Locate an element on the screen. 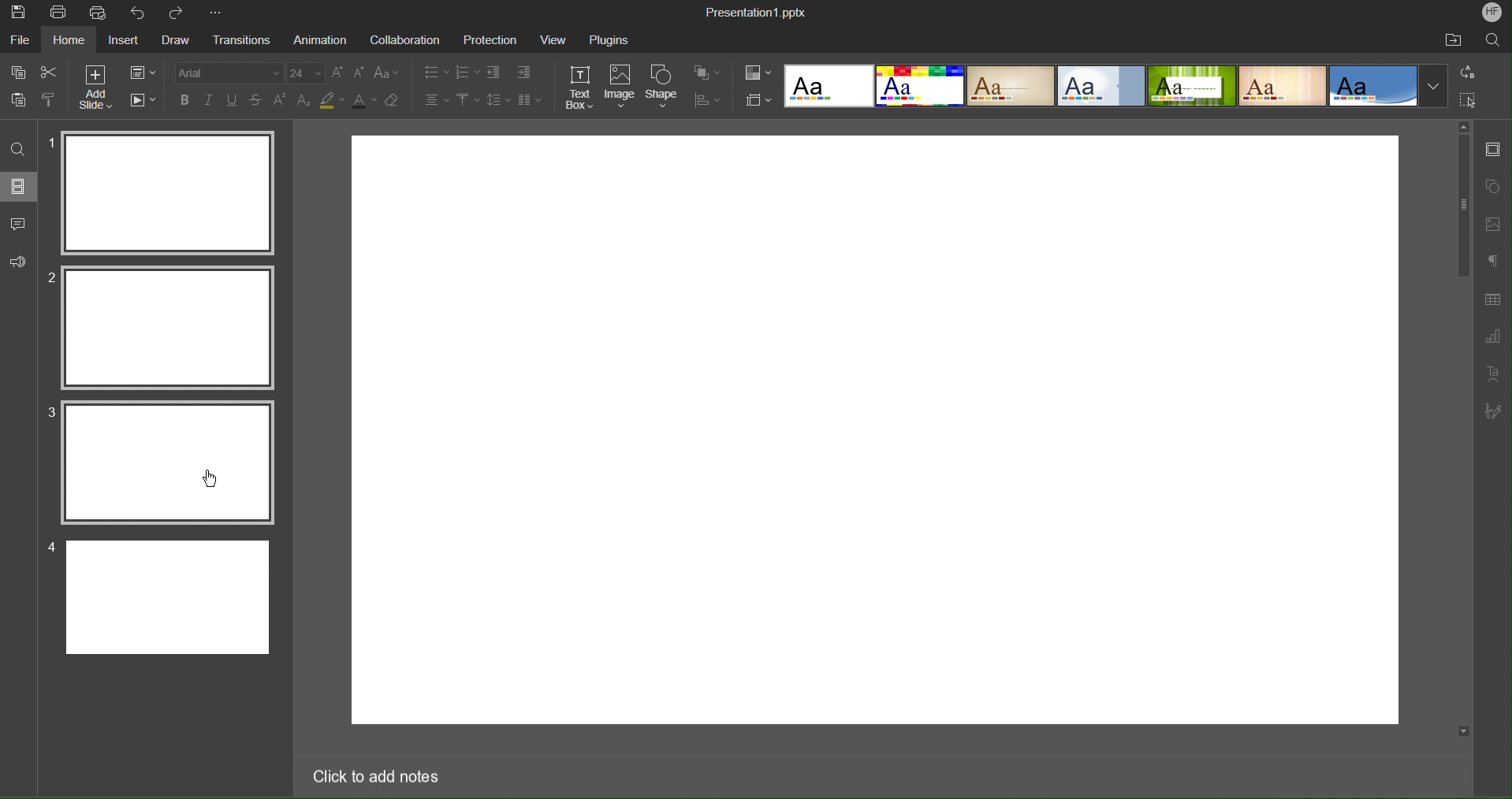  change case is located at coordinates (388, 72).